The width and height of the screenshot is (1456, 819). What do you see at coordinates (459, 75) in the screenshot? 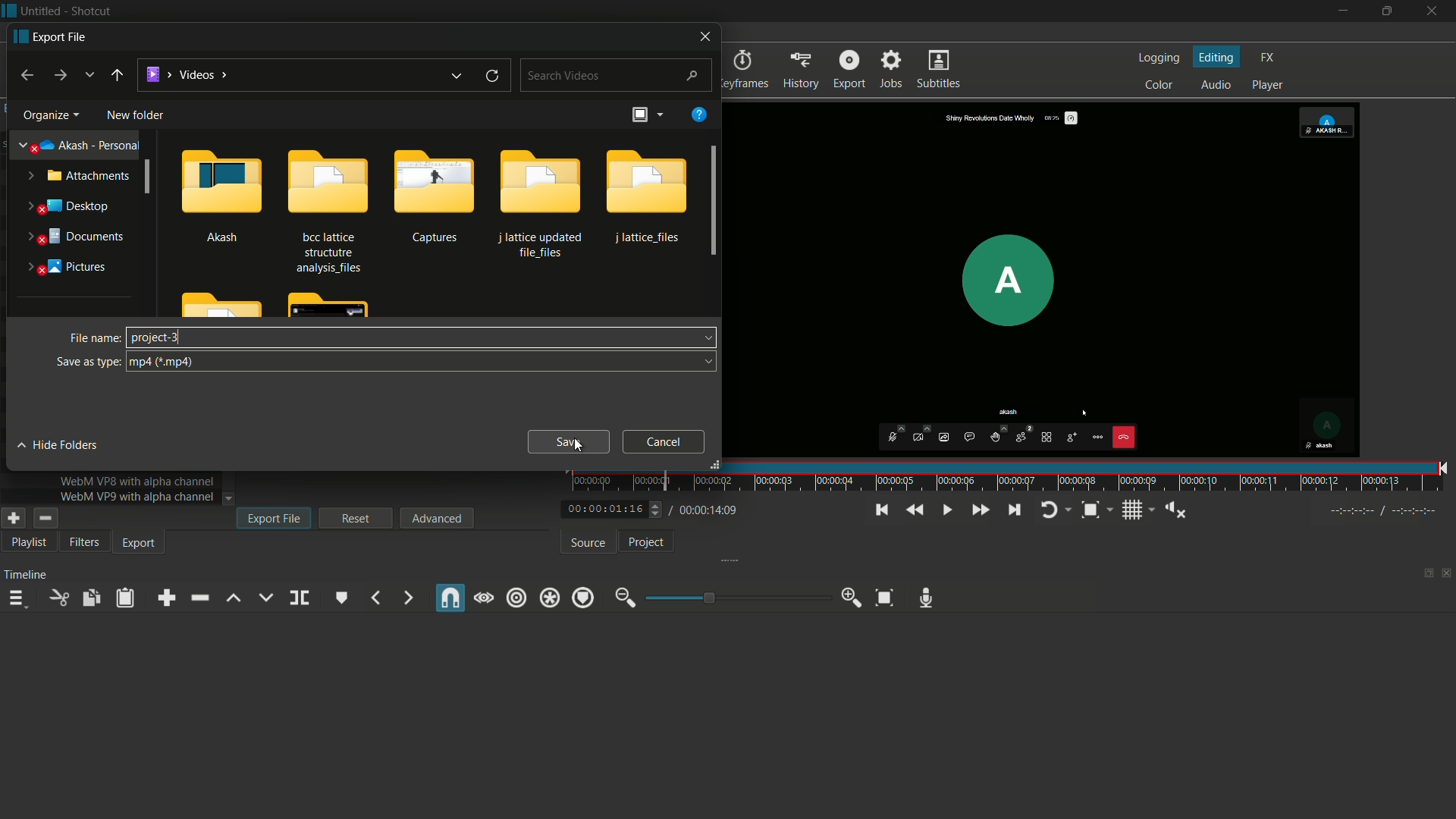
I see `previous location` at bounding box center [459, 75].